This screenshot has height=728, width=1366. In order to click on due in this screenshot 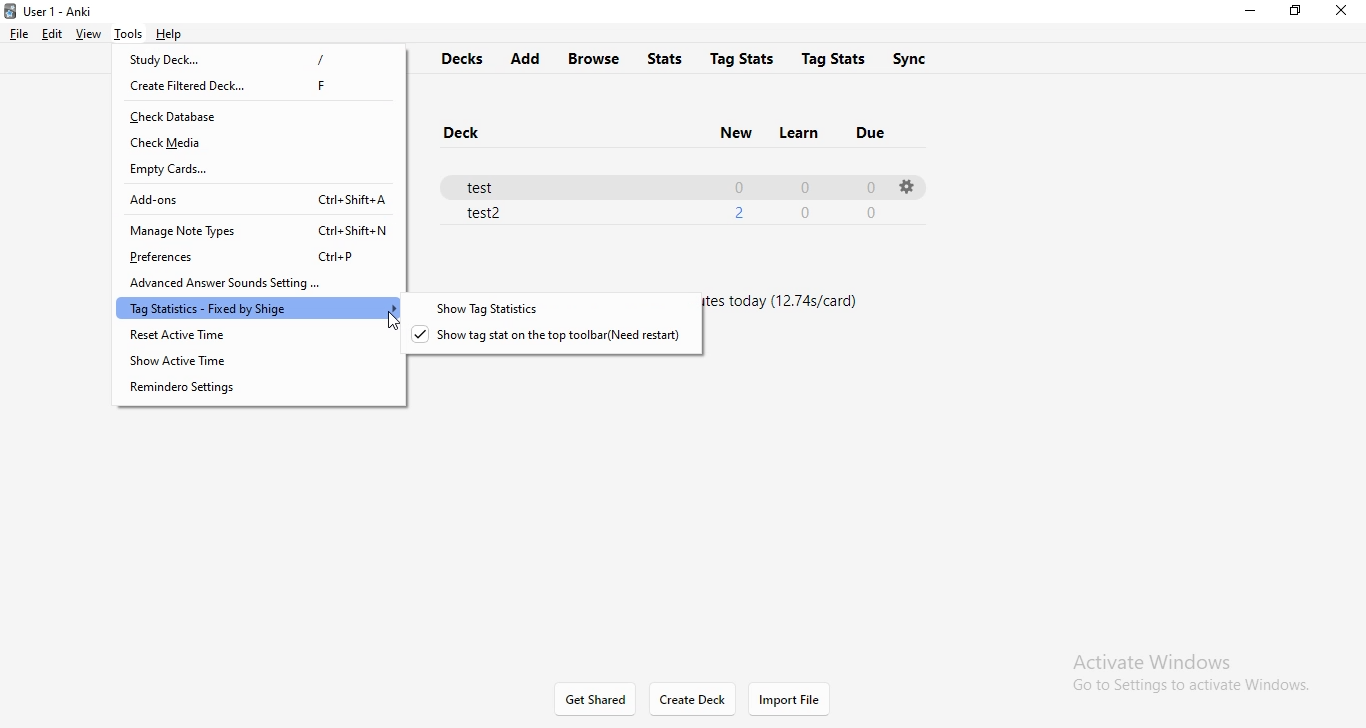, I will do `click(882, 134)`.